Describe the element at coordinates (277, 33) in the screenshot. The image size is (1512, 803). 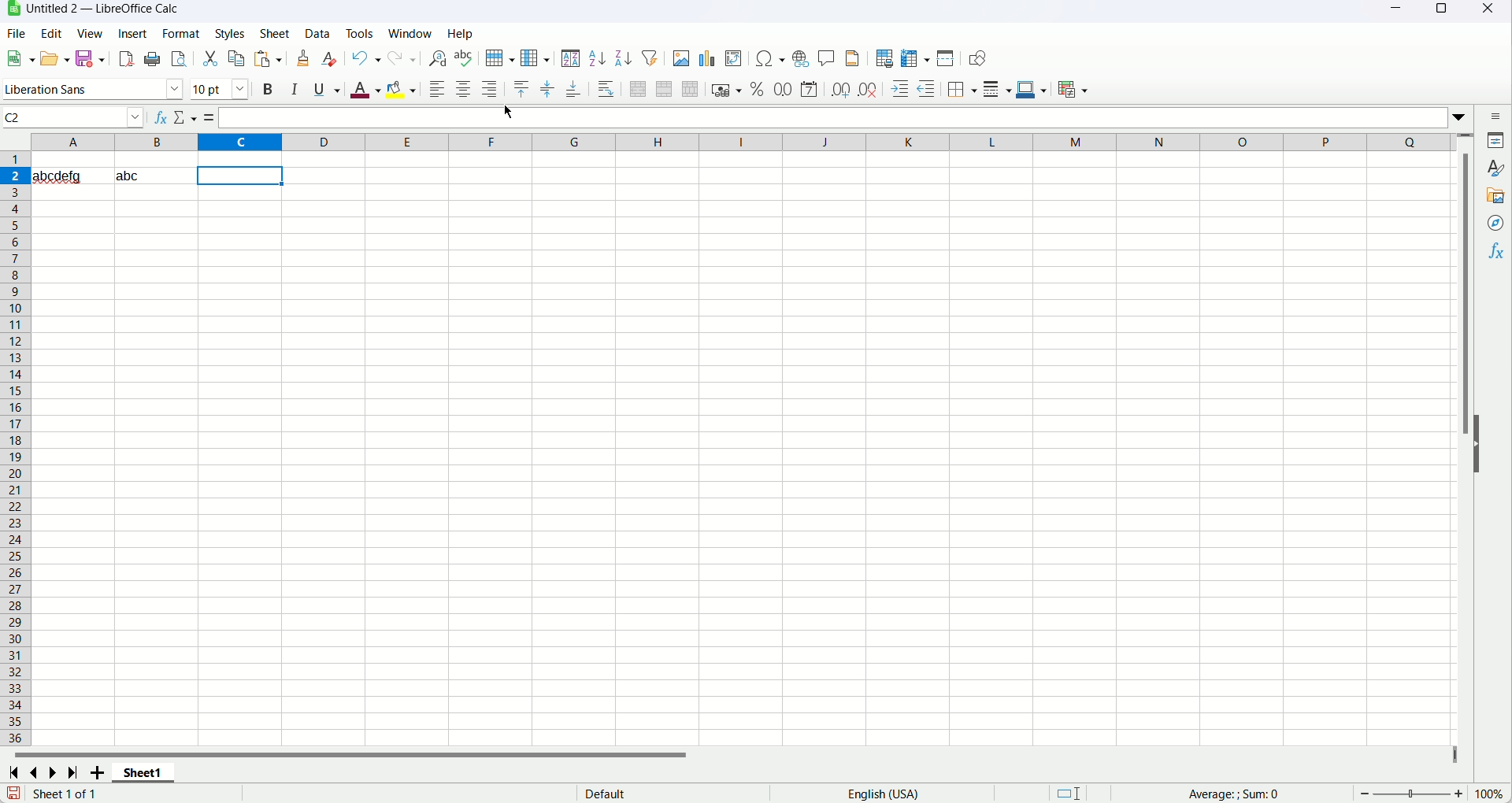
I see `sheet` at that location.